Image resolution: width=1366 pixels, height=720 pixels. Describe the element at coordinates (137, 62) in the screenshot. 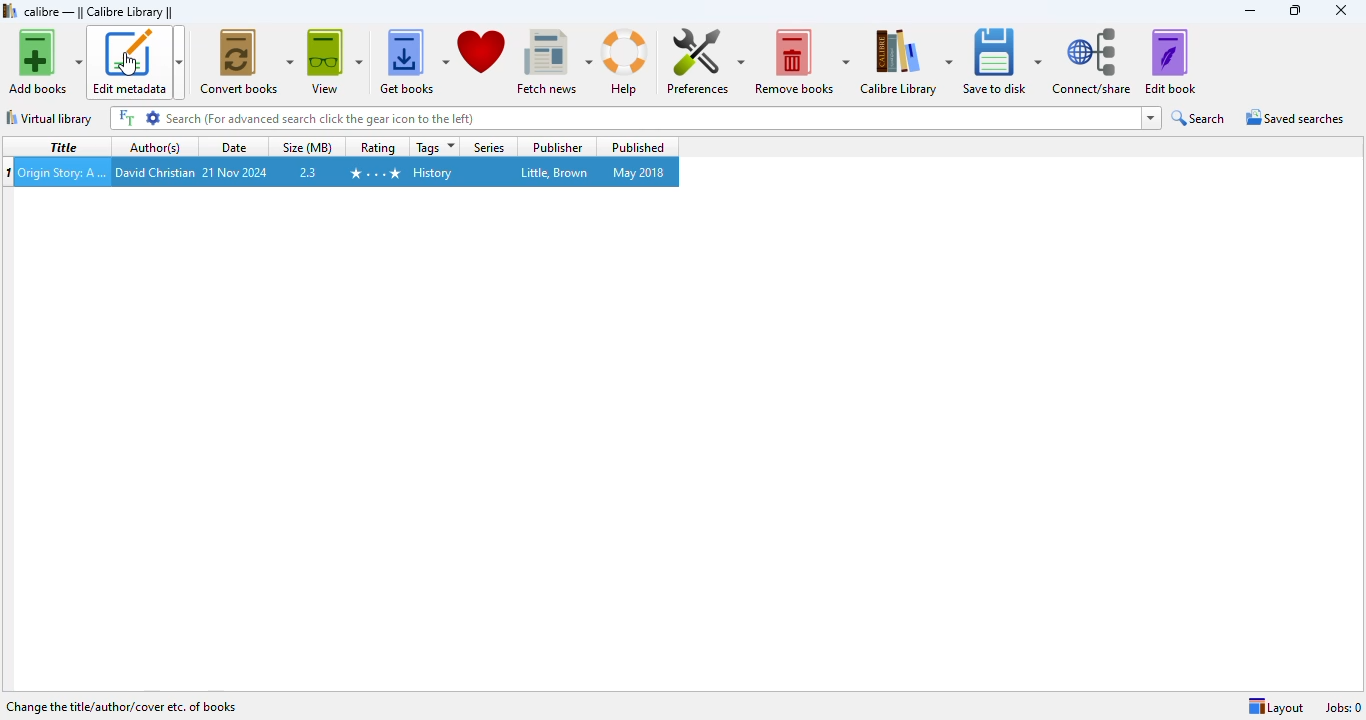

I see `edit metadata` at that location.